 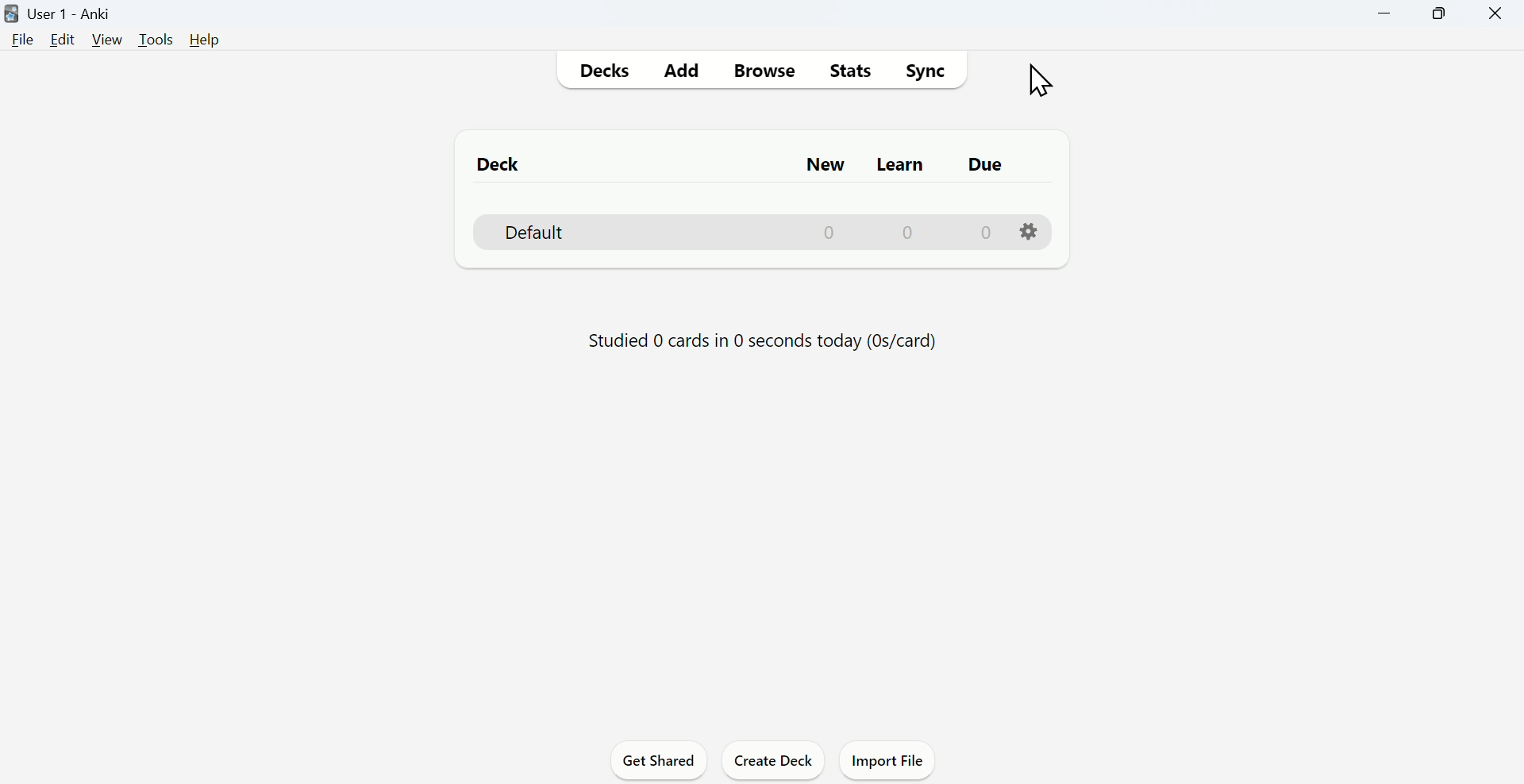 I want to click on Deck, so click(x=504, y=163).